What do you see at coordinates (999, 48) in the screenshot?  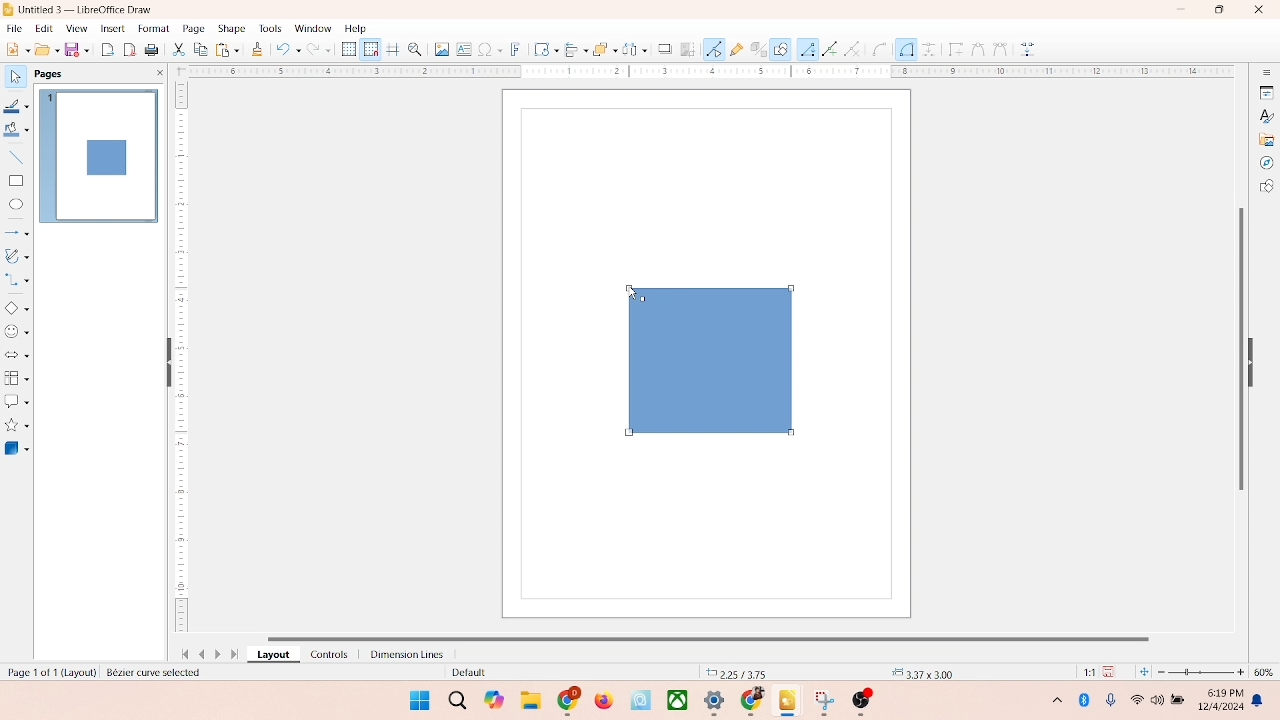 I see `Combine tool` at bounding box center [999, 48].